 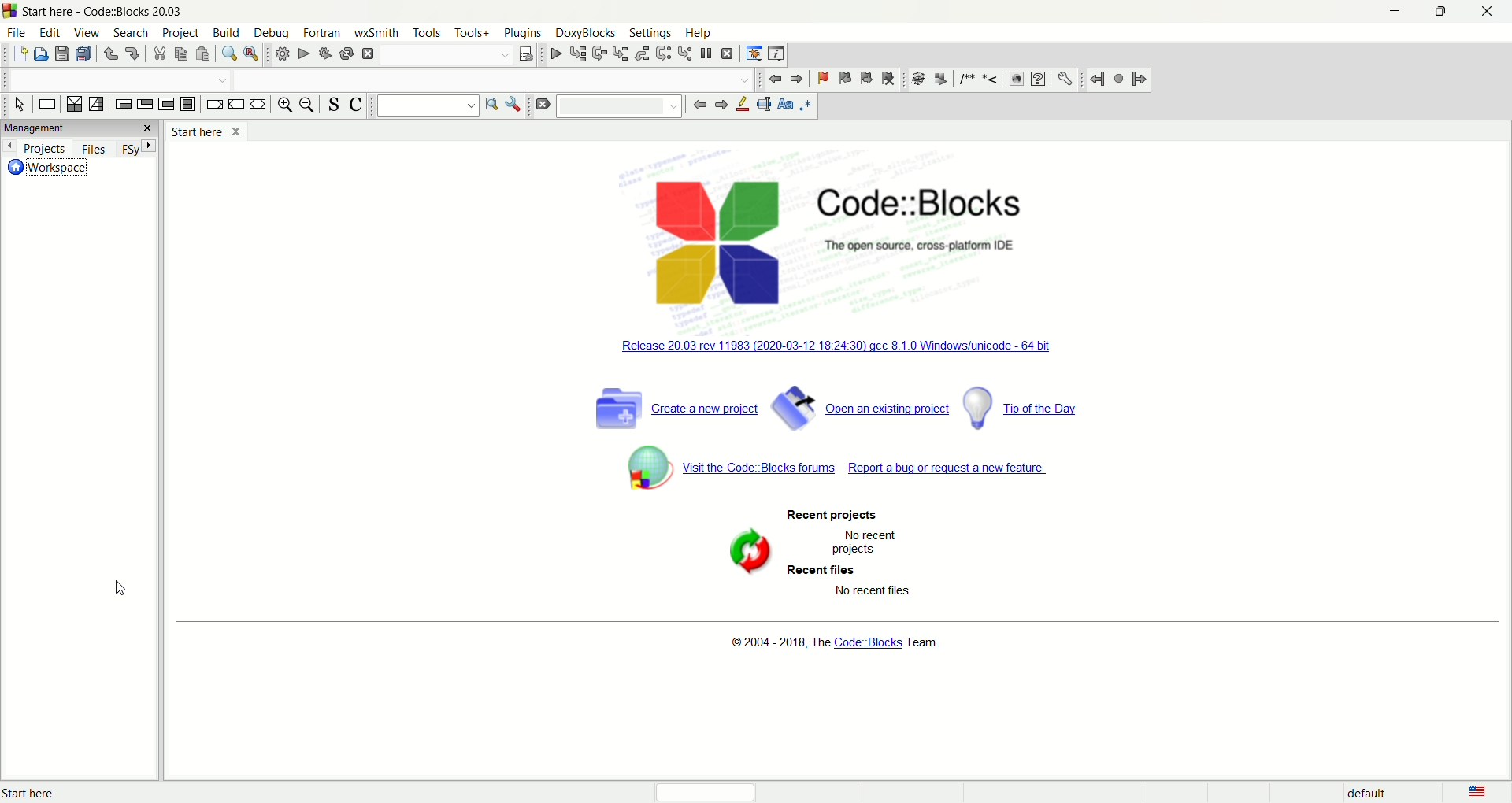 What do you see at coordinates (227, 34) in the screenshot?
I see `build` at bounding box center [227, 34].